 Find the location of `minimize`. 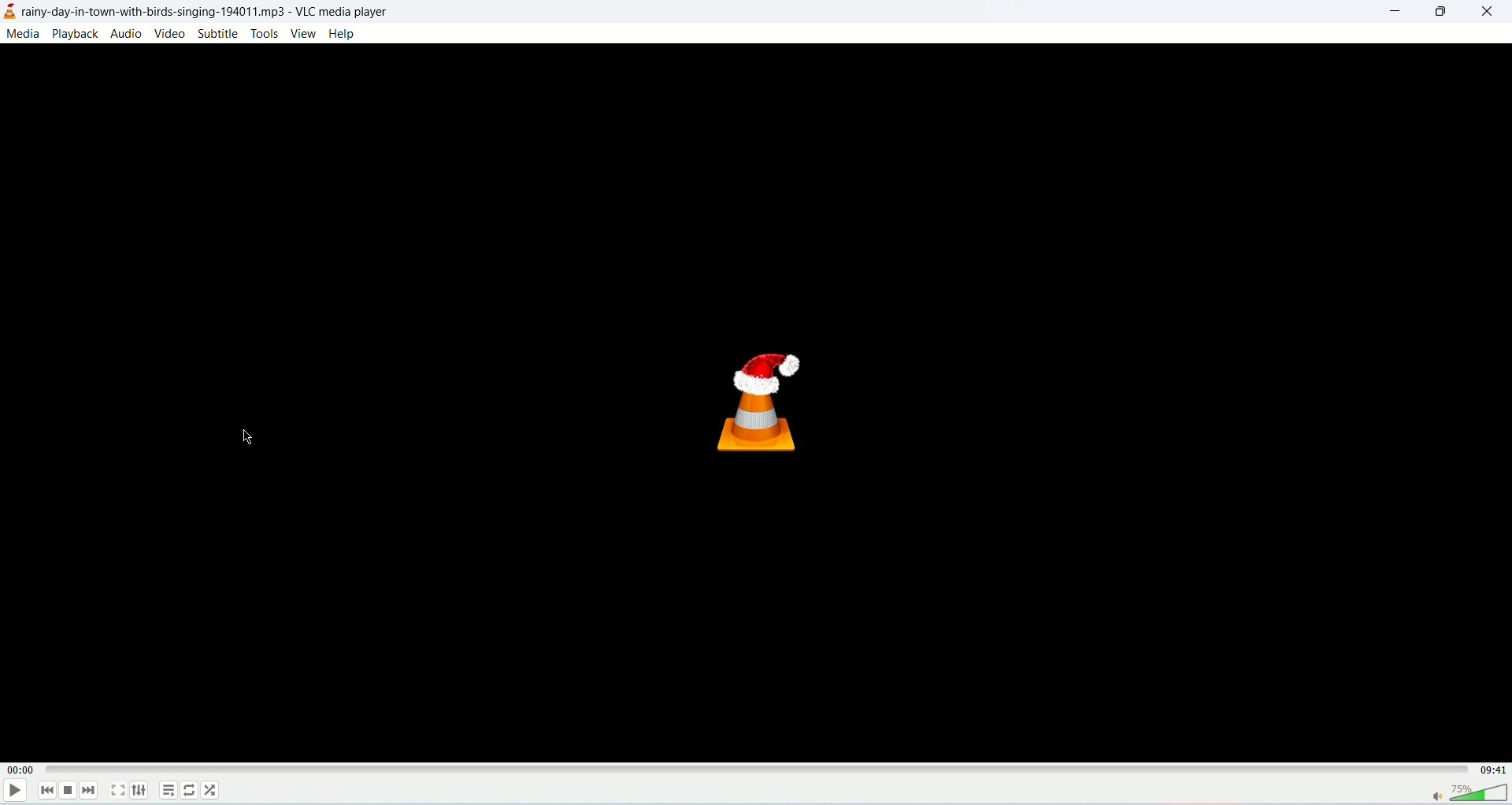

minimize is located at coordinates (1395, 13).